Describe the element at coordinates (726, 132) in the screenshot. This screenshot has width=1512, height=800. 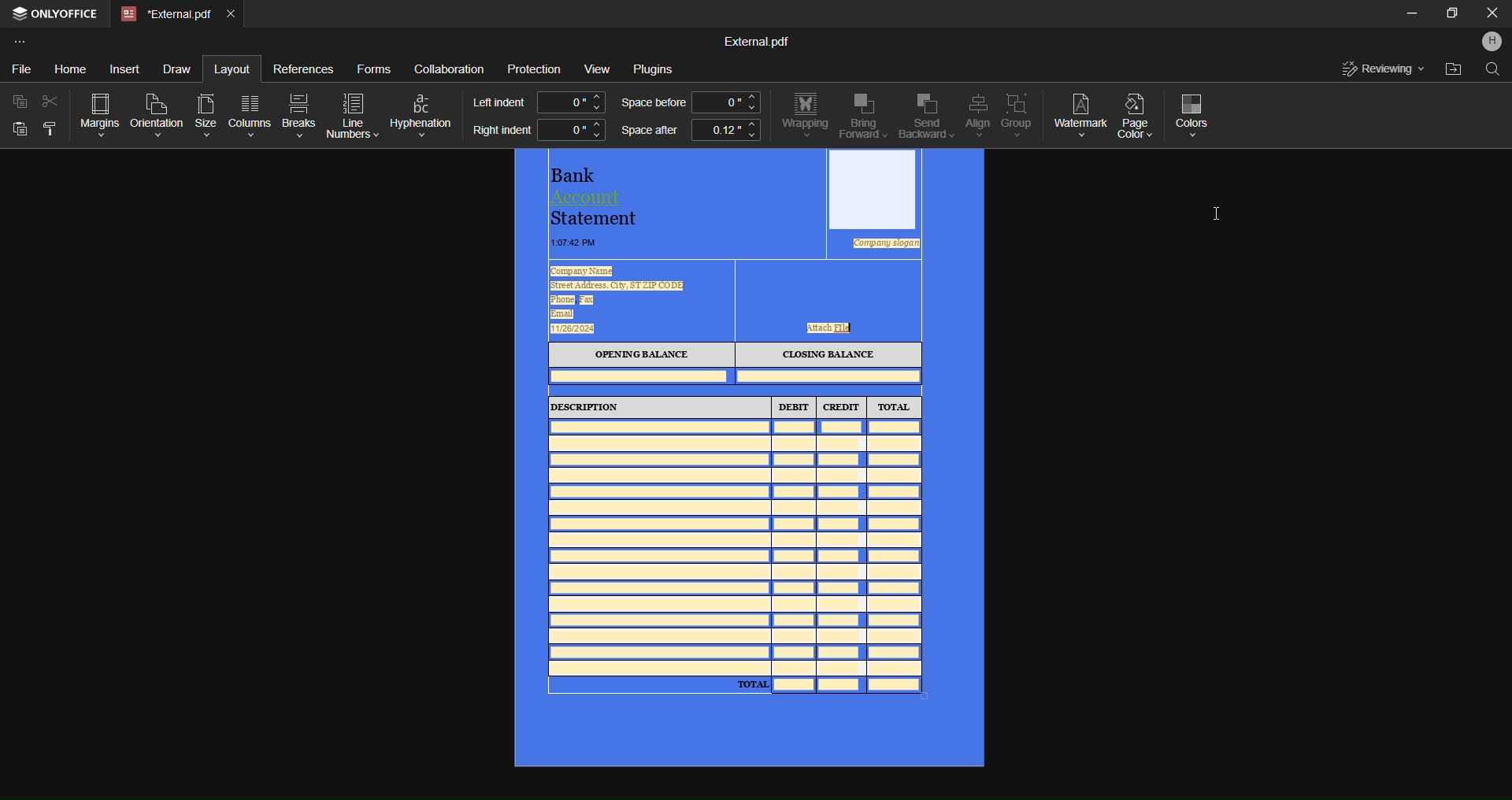
I see `Adjust Space After` at that location.